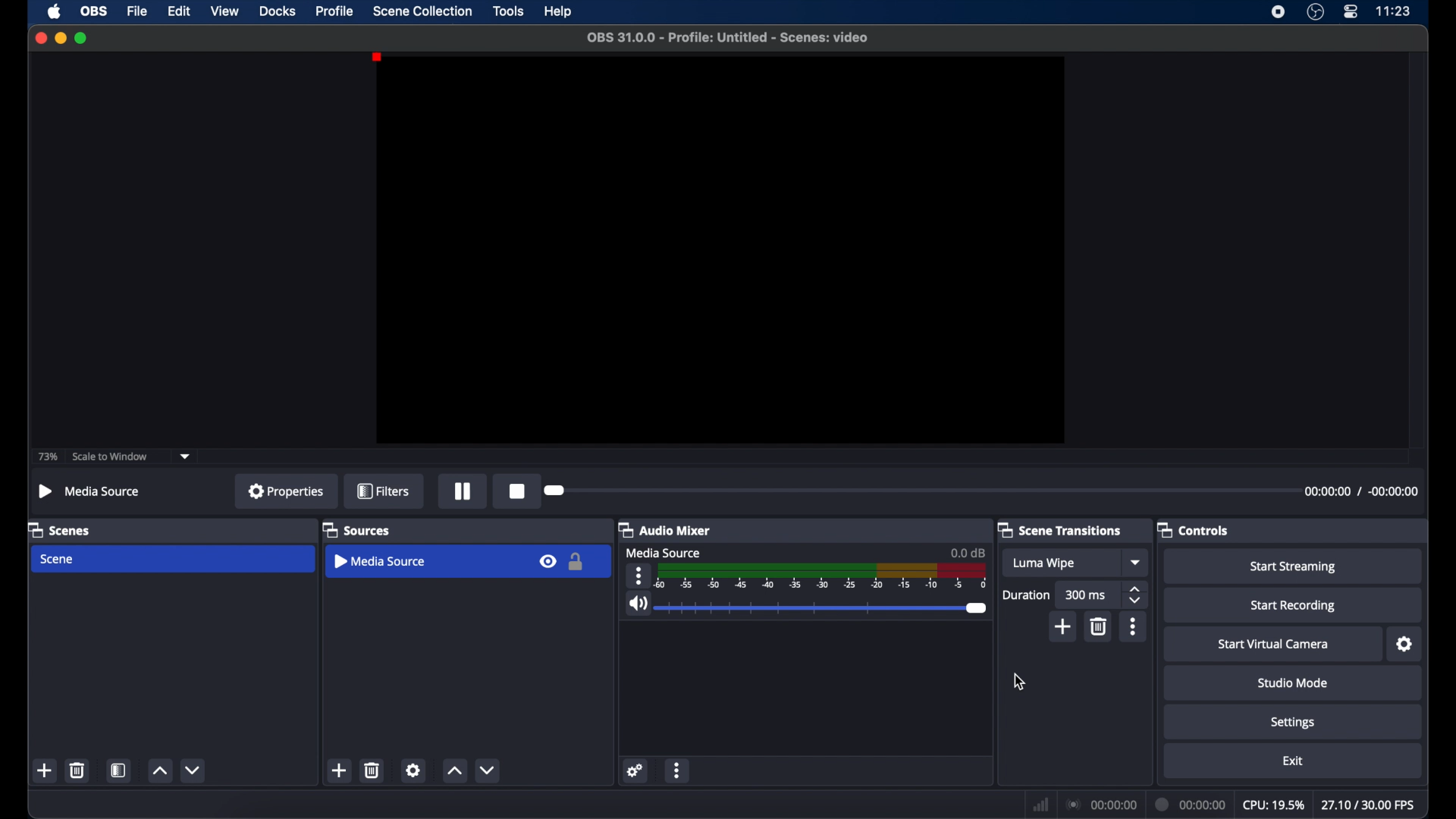 The width and height of the screenshot is (1456, 819). I want to click on delete, so click(1098, 626).